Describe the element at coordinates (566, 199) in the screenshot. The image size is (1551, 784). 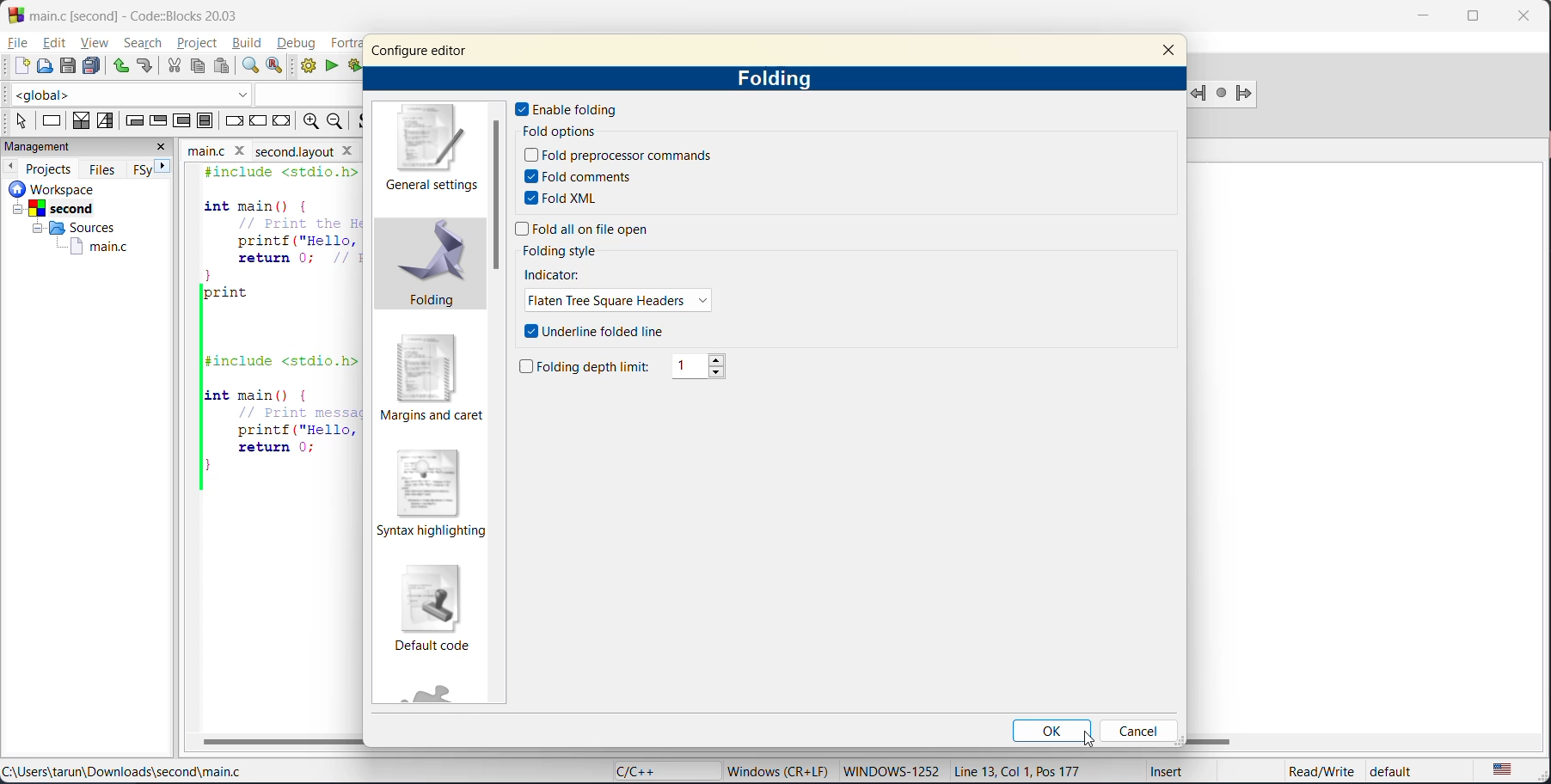
I see `fold xml` at that location.